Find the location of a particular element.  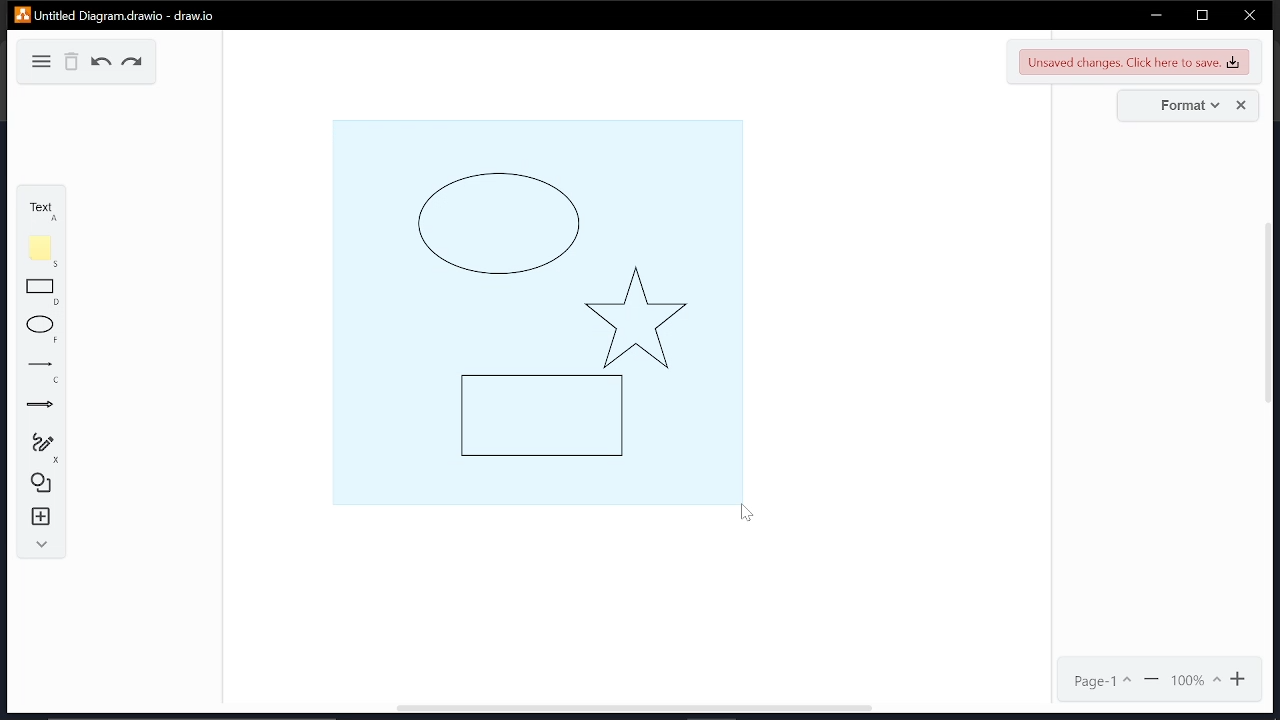

note is located at coordinates (44, 251).